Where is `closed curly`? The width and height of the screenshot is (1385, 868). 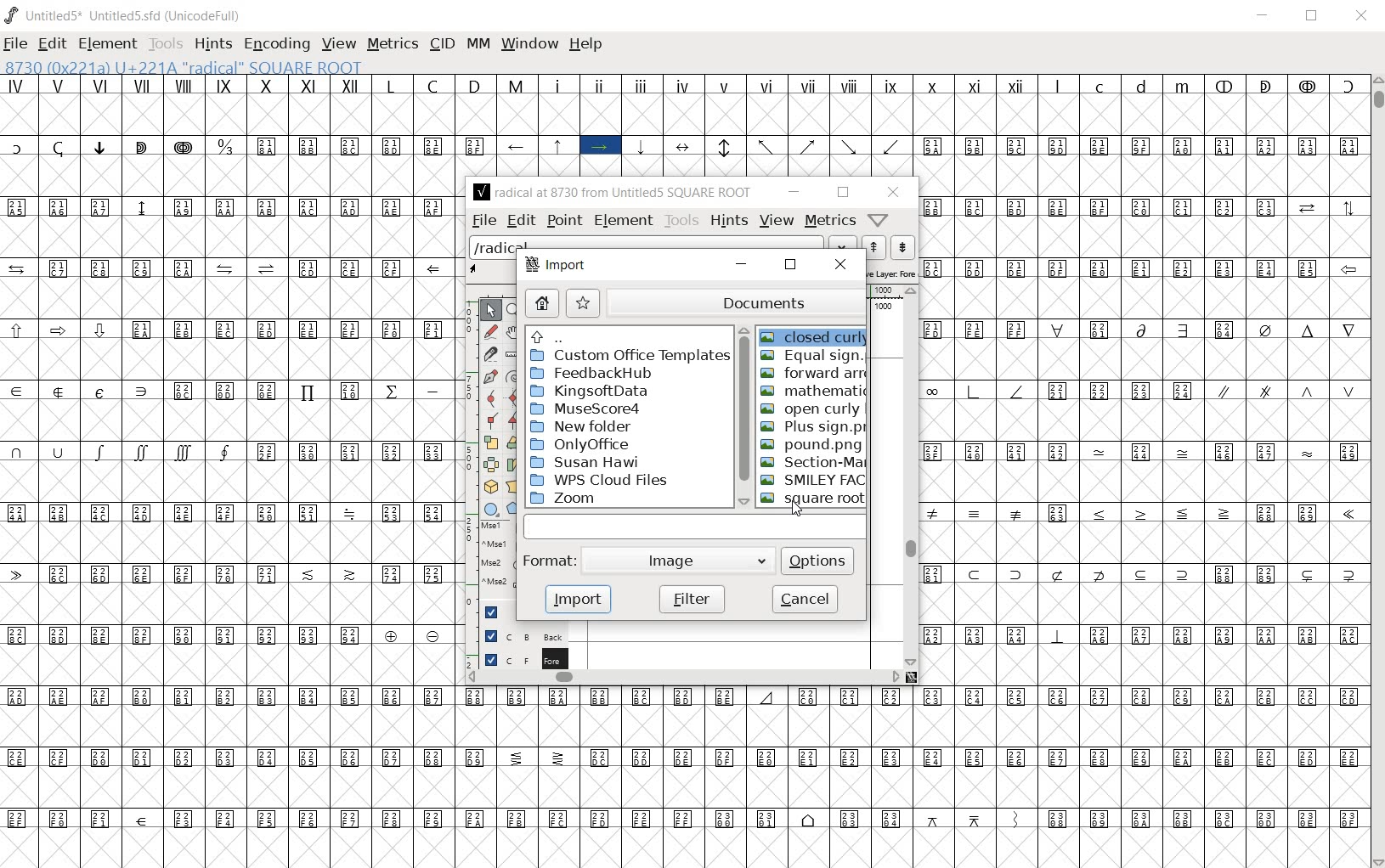 closed curly is located at coordinates (816, 336).